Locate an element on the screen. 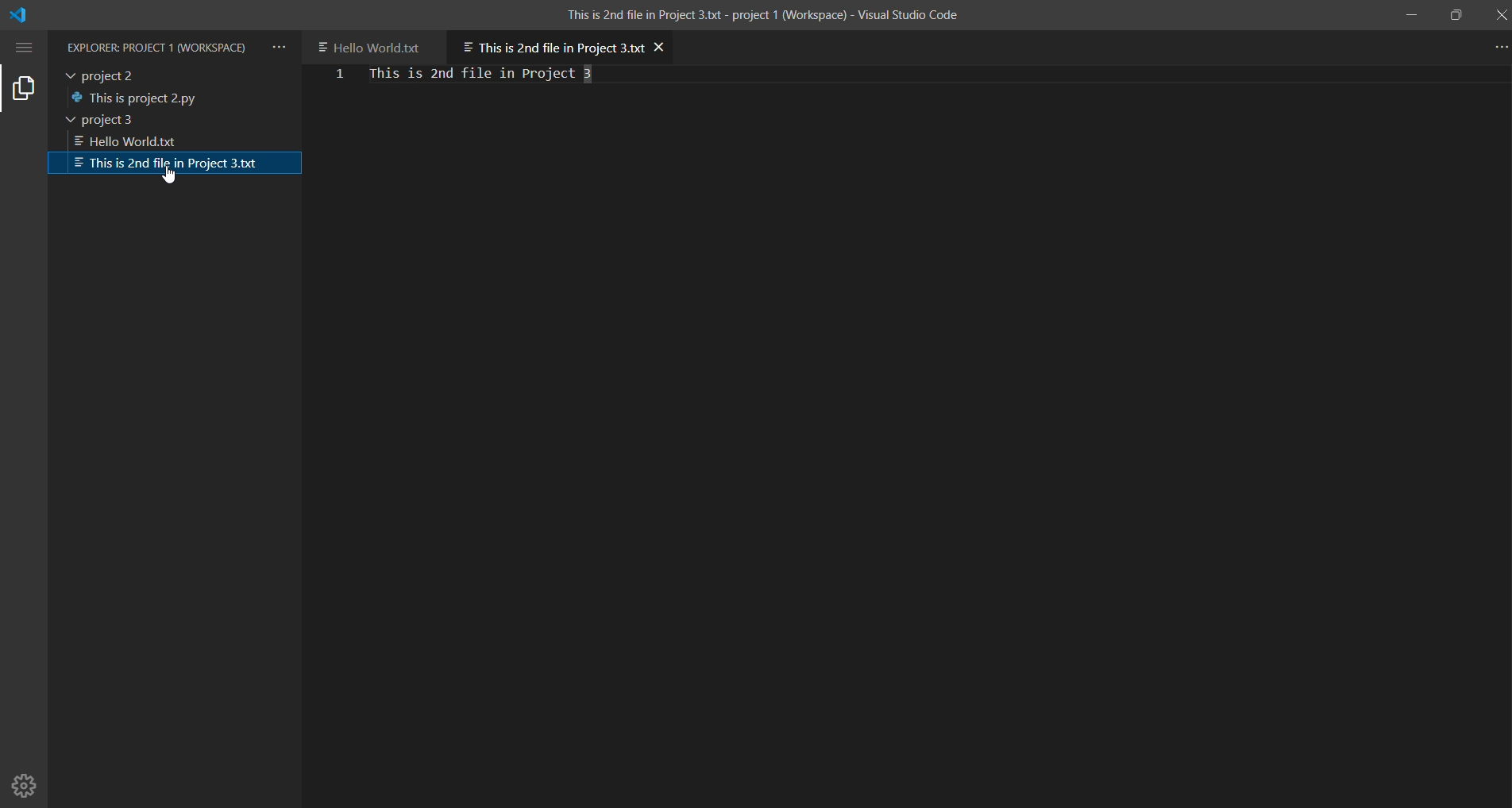 The width and height of the screenshot is (1512, 808). Manage is located at coordinates (26, 779).